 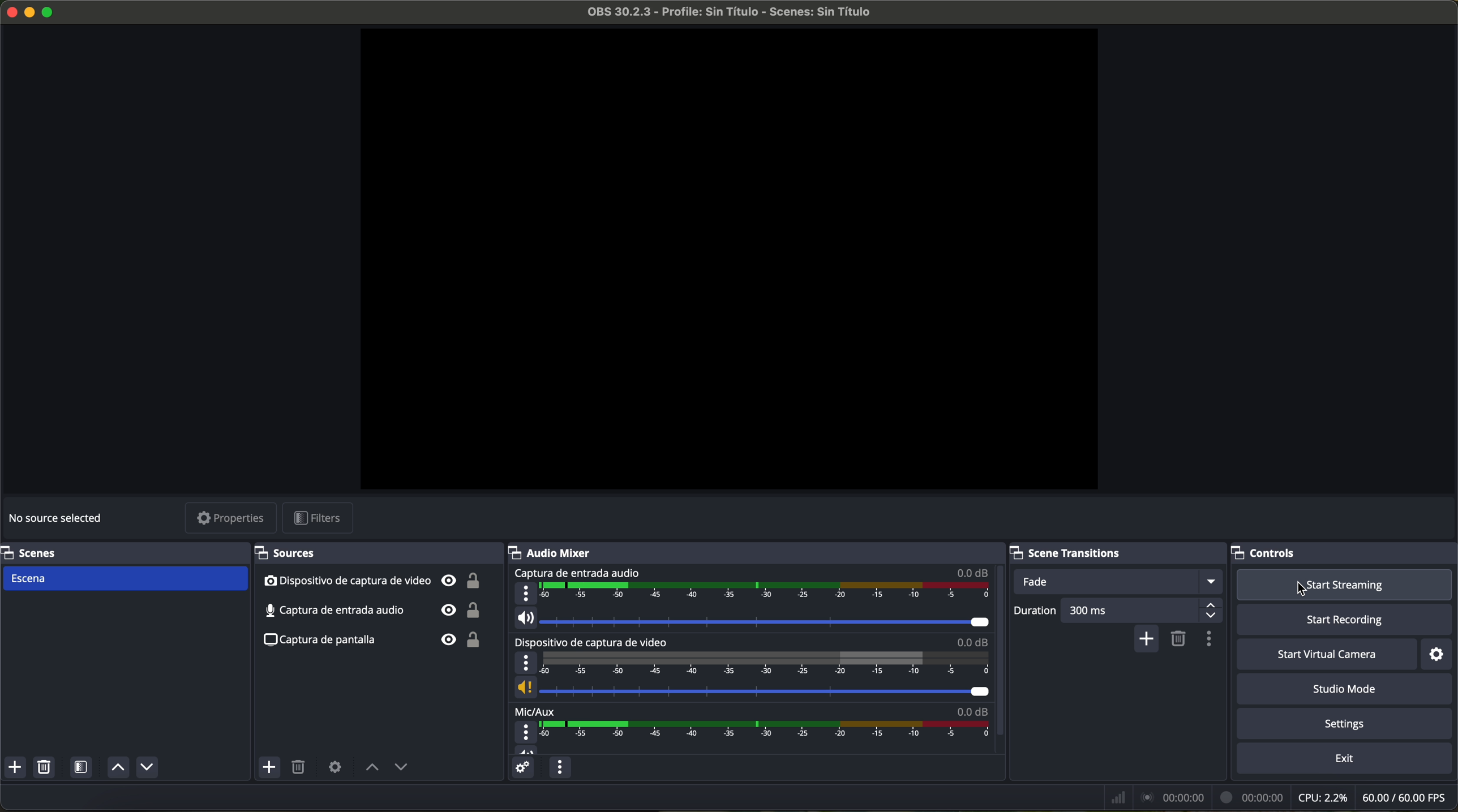 What do you see at coordinates (301, 768) in the screenshot?
I see `remove selected source` at bounding box center [301, 768].